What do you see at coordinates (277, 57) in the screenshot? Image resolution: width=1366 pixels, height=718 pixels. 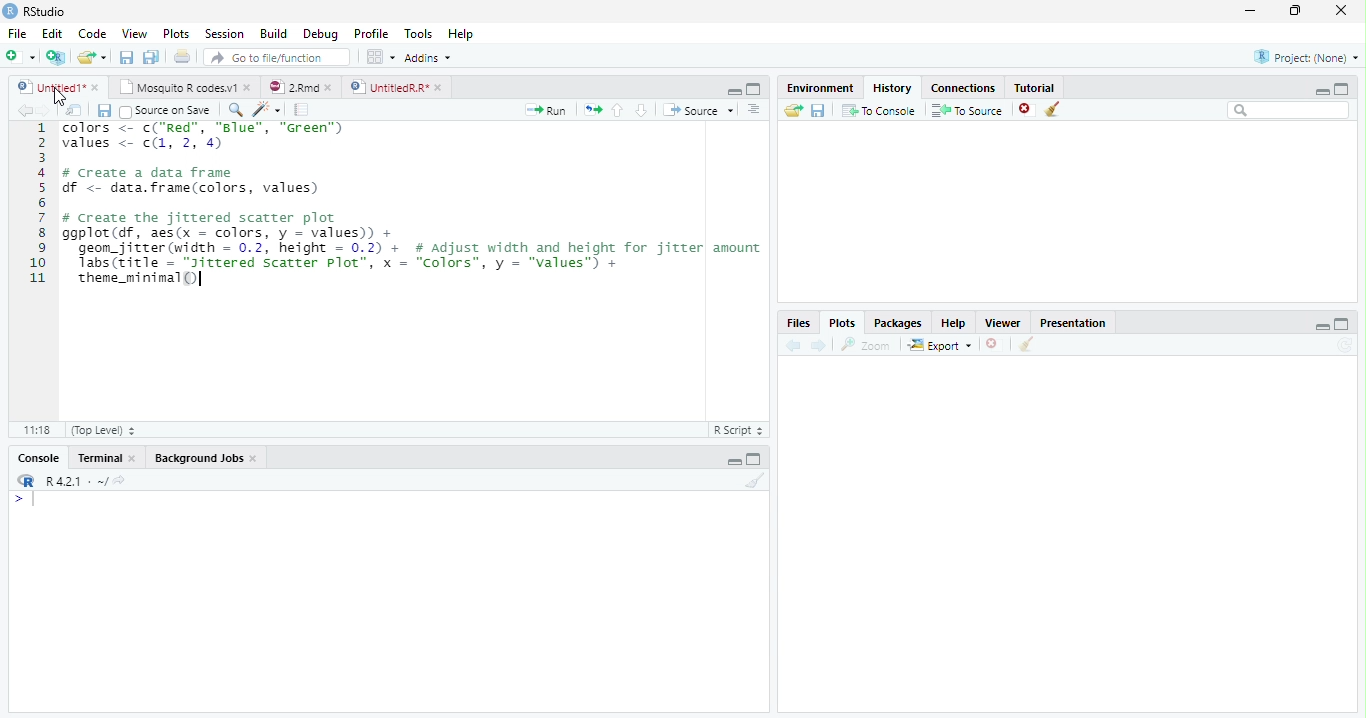 I see `Go to file/function` at bounding box center [277, 57].